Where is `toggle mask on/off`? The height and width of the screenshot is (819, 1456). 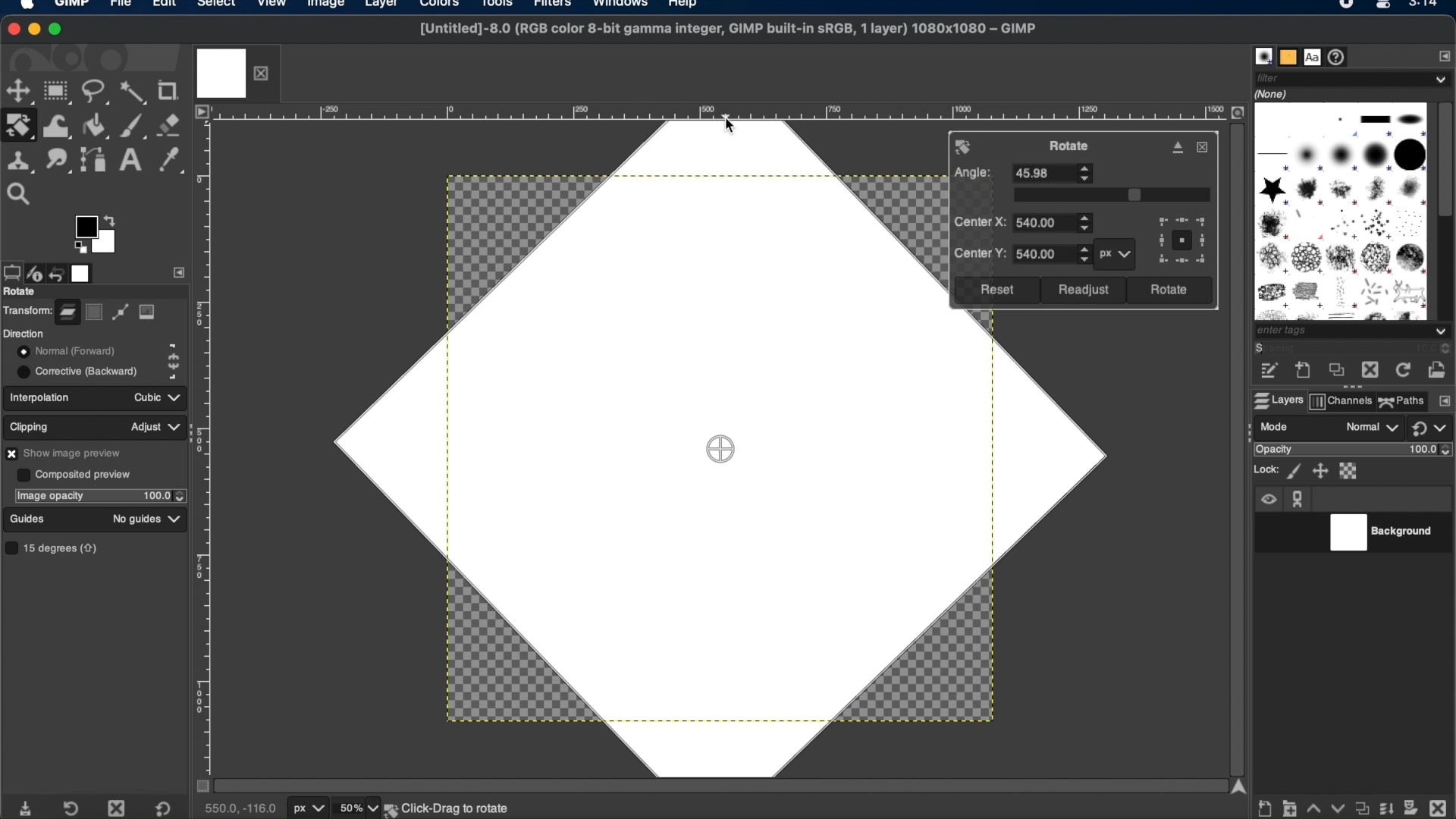 toggle mask on/off is located at coordinates (198, 786).